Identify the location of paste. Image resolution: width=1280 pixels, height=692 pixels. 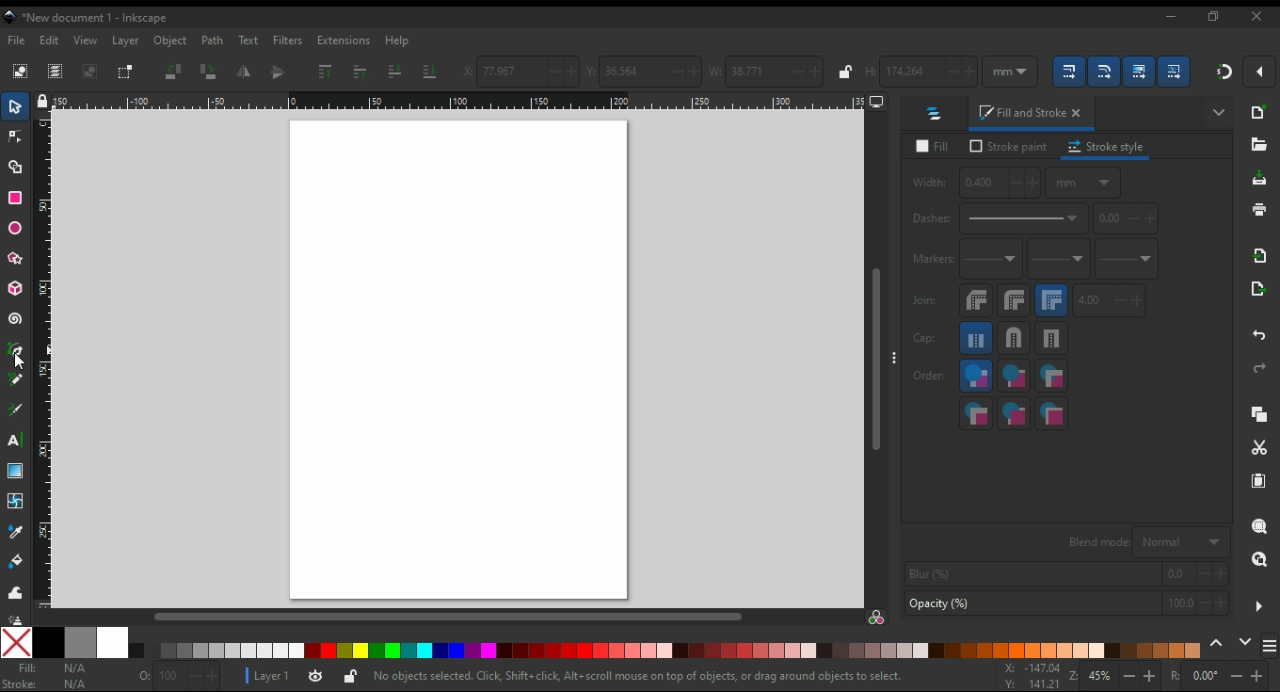
(1258, 481).